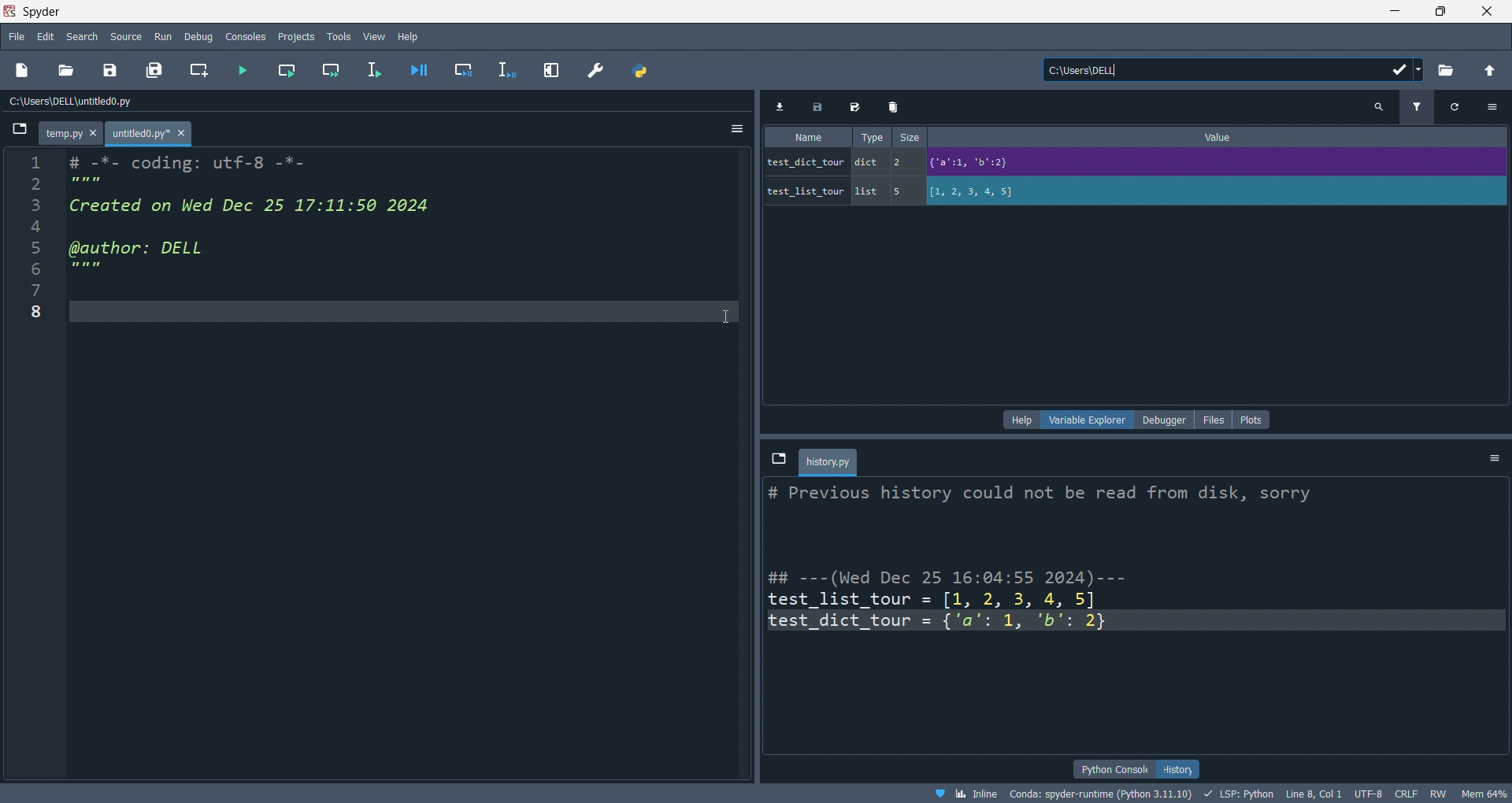 The image size is (1512, 803). Describe the element at coordinates (165, 37) in the screenshot. I see `run` at that location.